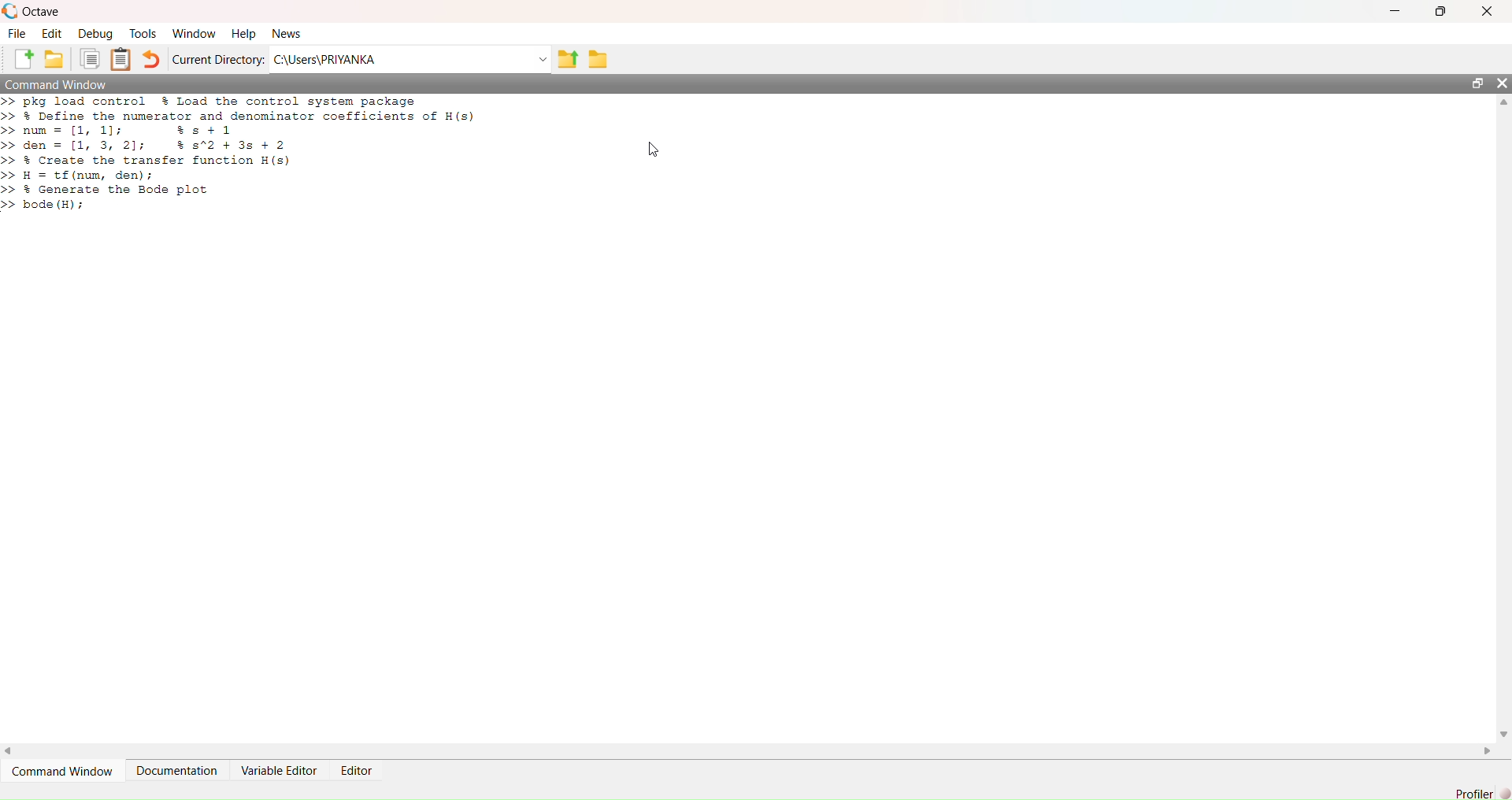 Image resolution: width=1512 pixels, height=800 pixels. Describe the element at coordinates (1474, 793) in the screenshot. I see `Profiler` at that location.